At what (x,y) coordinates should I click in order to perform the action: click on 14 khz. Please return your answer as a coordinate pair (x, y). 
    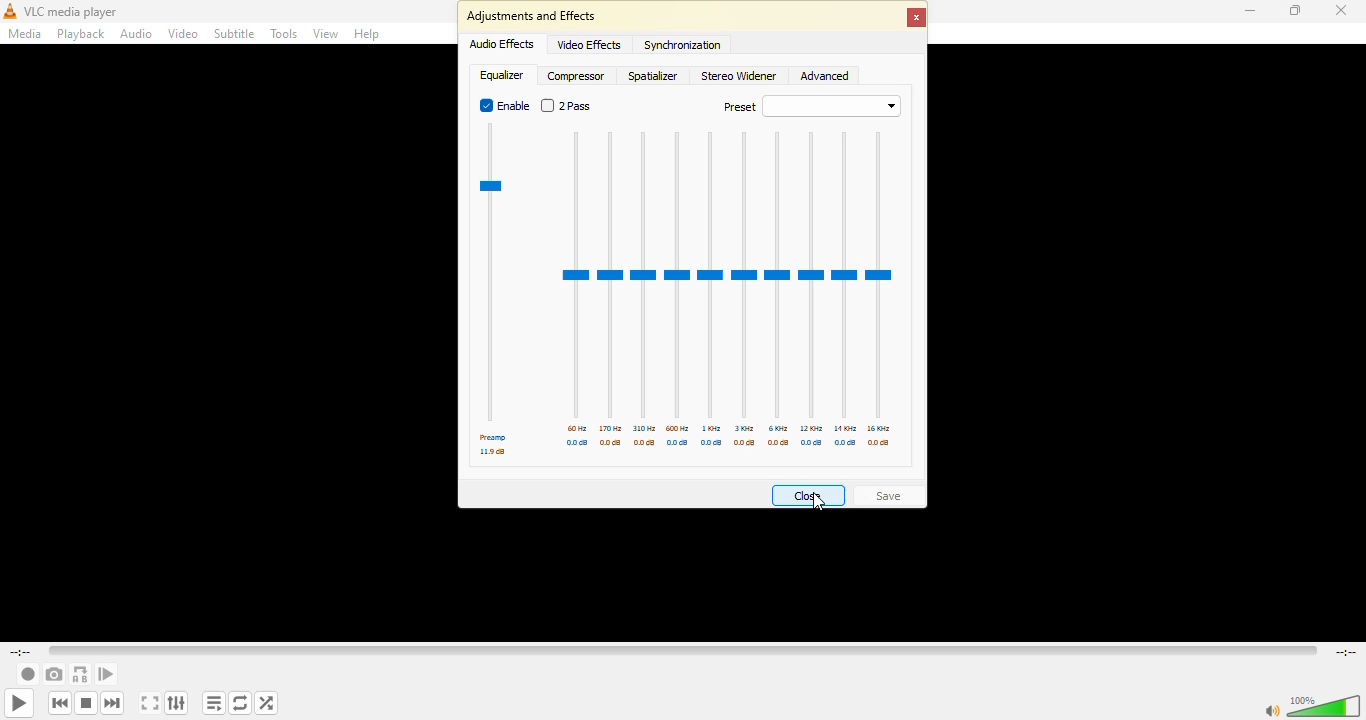
    Looking at the image, I should click on (846, 428).